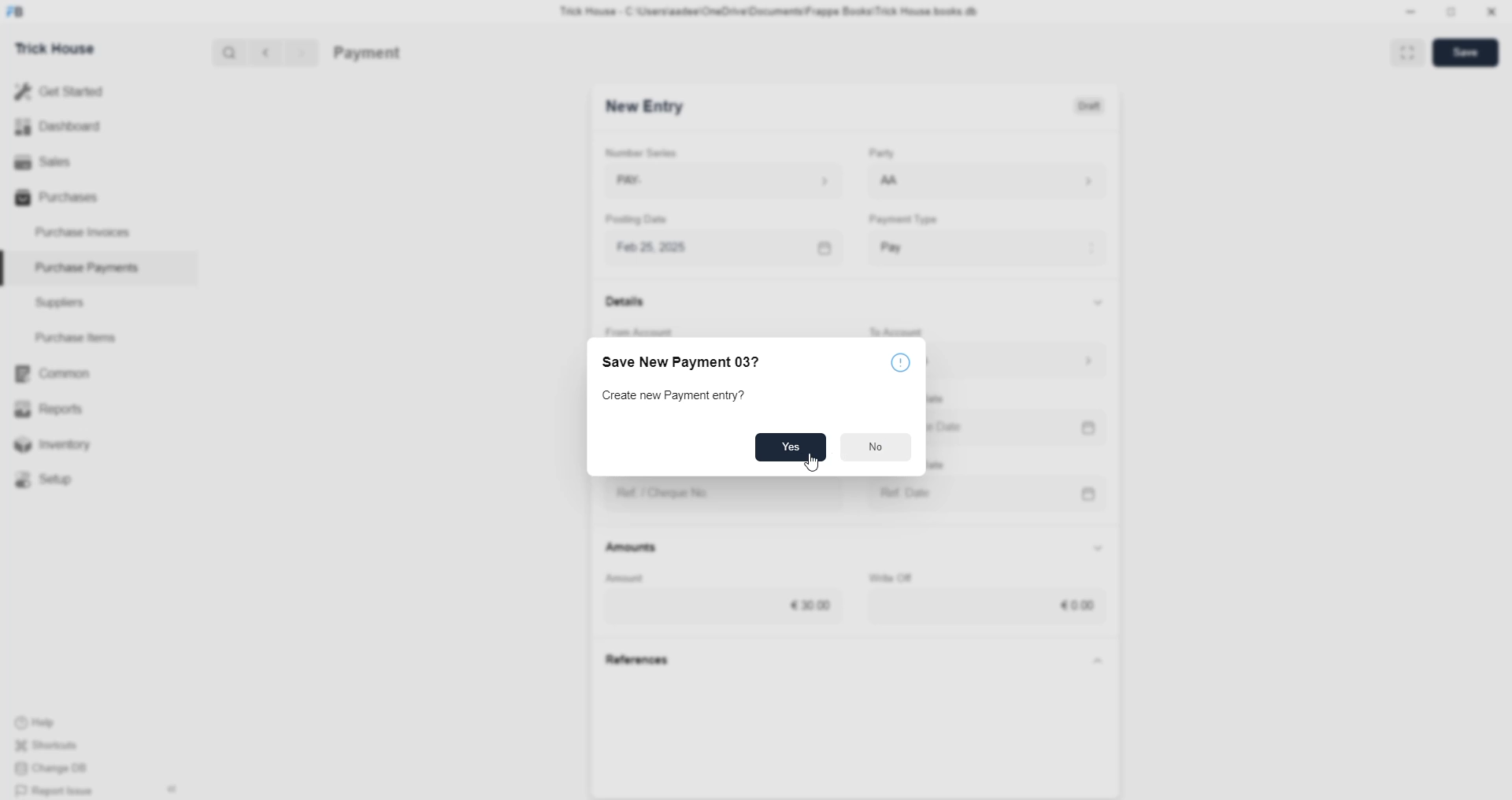  I want to click on info, so click(905, 361).